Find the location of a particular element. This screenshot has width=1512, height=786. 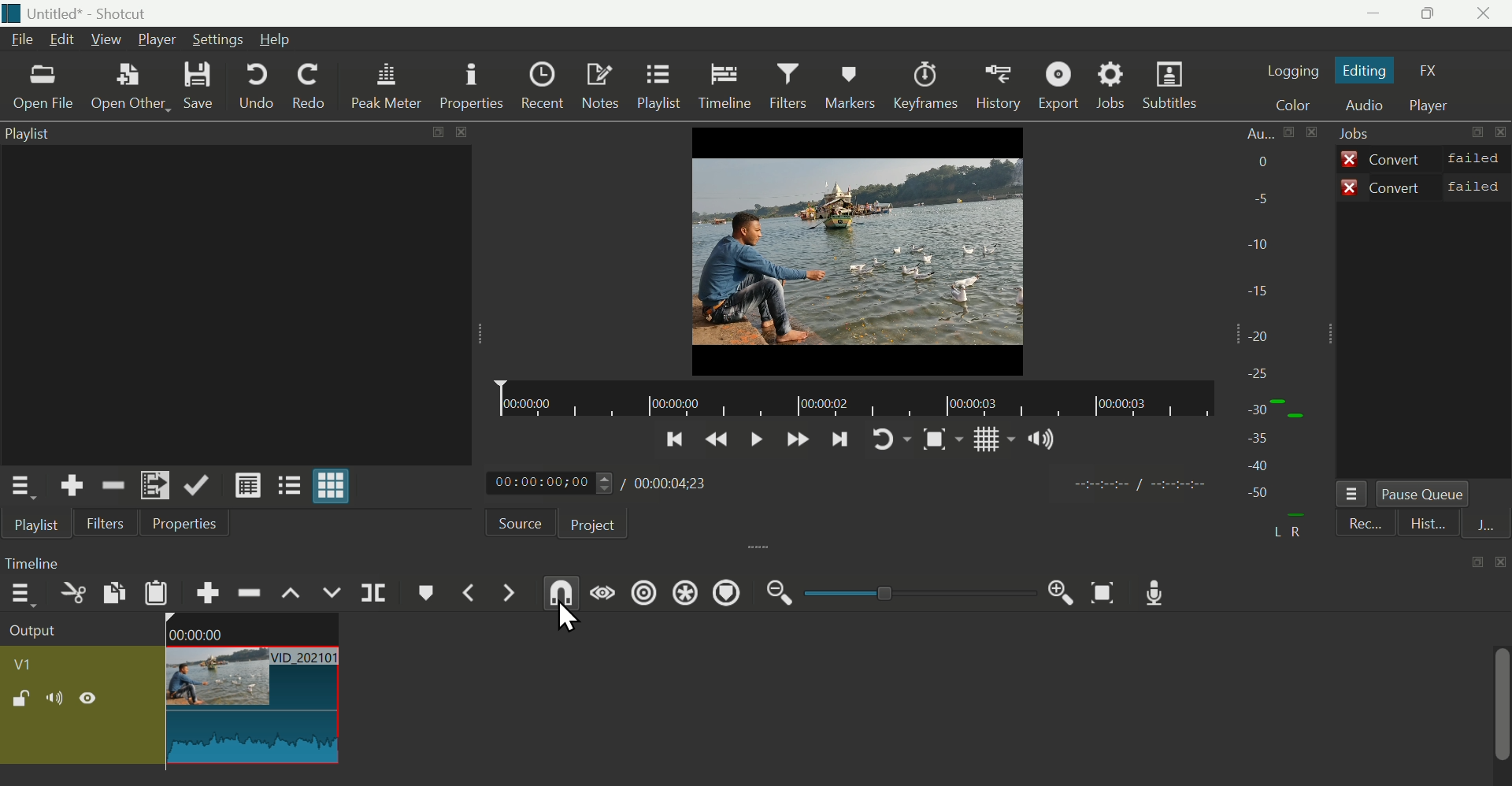

Jobs is located at coordinates (1361, 134).